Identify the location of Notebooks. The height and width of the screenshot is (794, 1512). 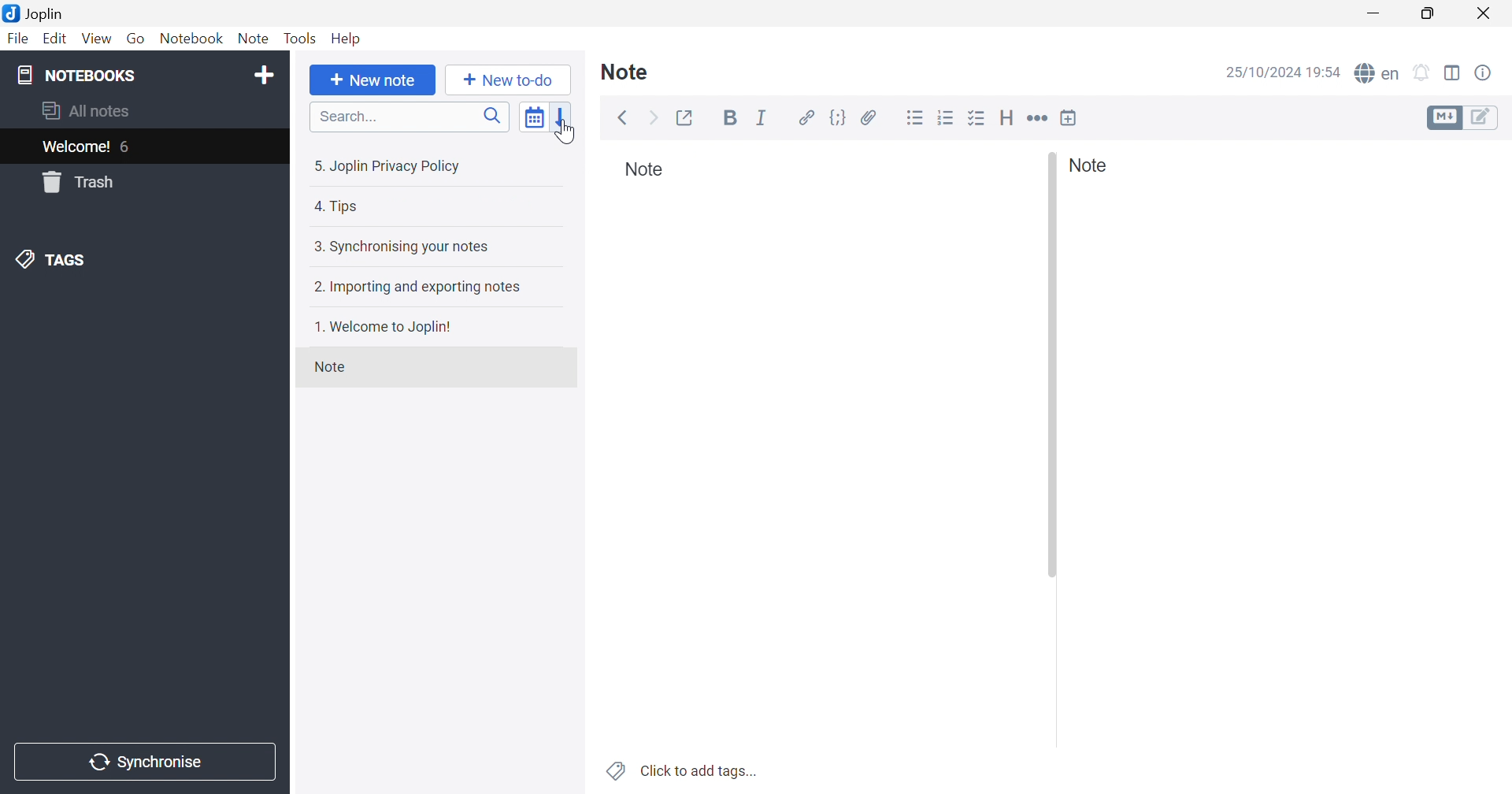
(79, 76).